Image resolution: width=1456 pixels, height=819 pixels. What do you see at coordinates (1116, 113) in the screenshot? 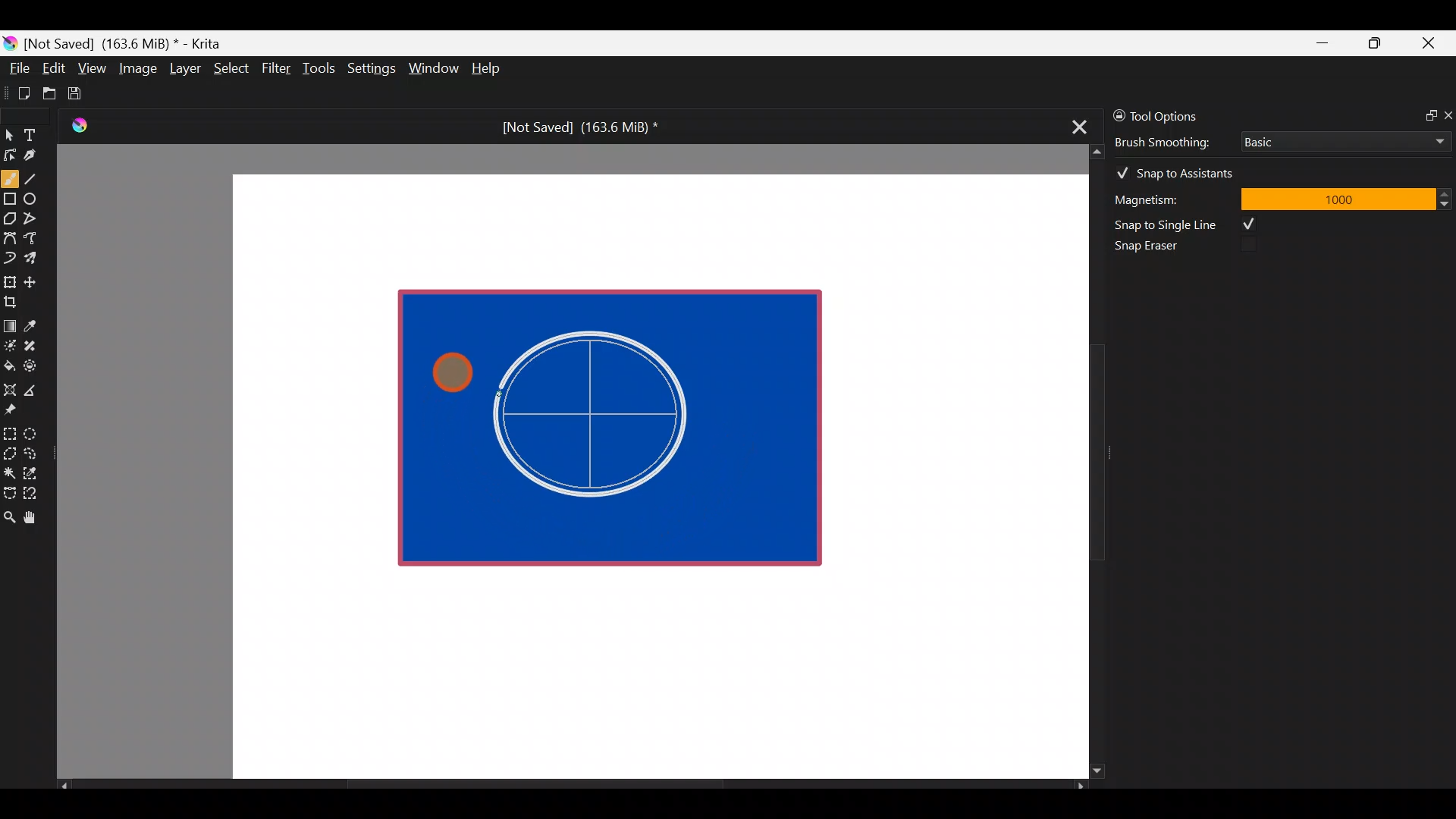
I see `Lock/unlock docker` at bounding box center [1116, 113].